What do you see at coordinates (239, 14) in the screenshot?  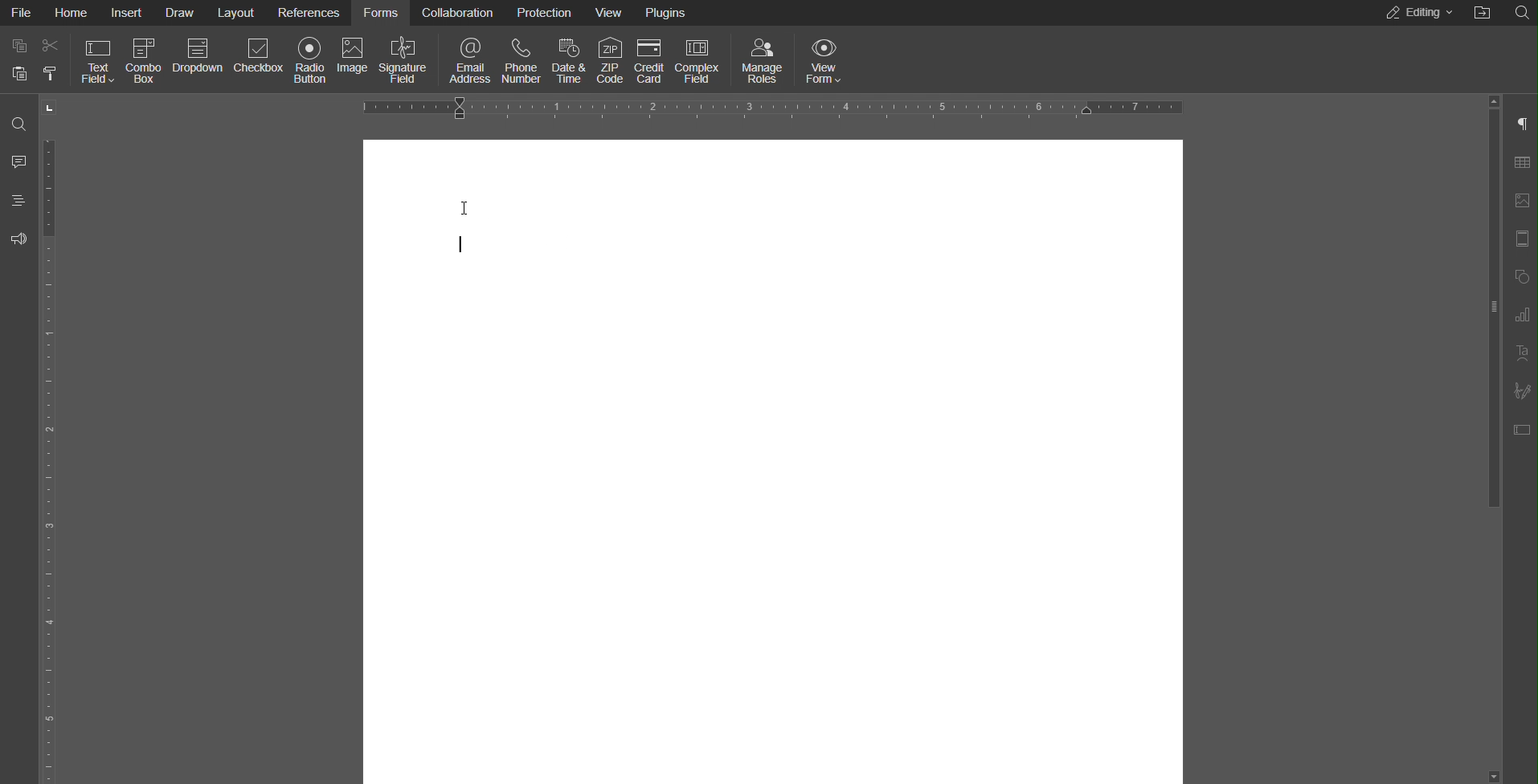 I see `Layout` at bounding box center [239, 14].